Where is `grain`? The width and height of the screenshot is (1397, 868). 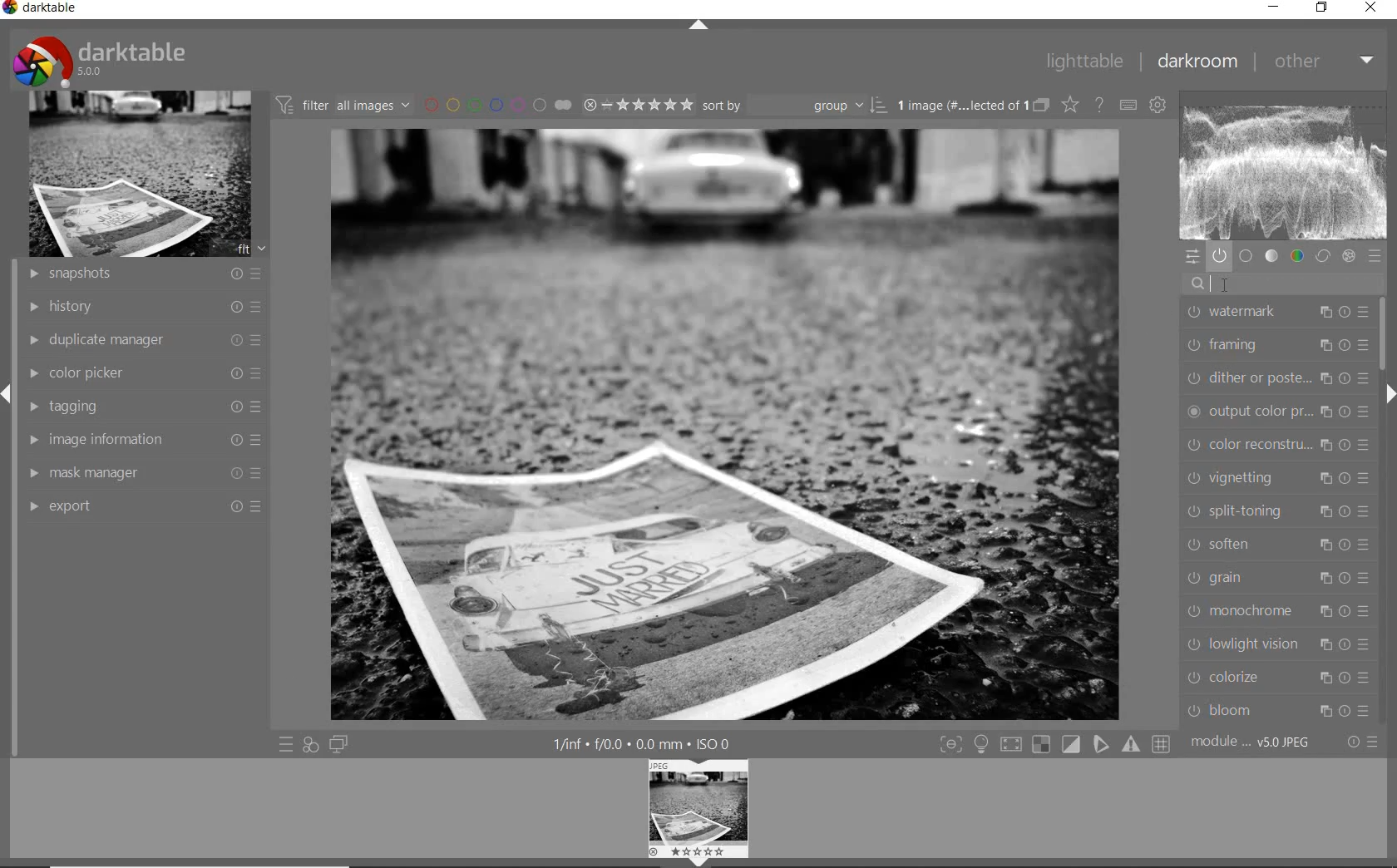 grain is located at coordinates (1276, 579).